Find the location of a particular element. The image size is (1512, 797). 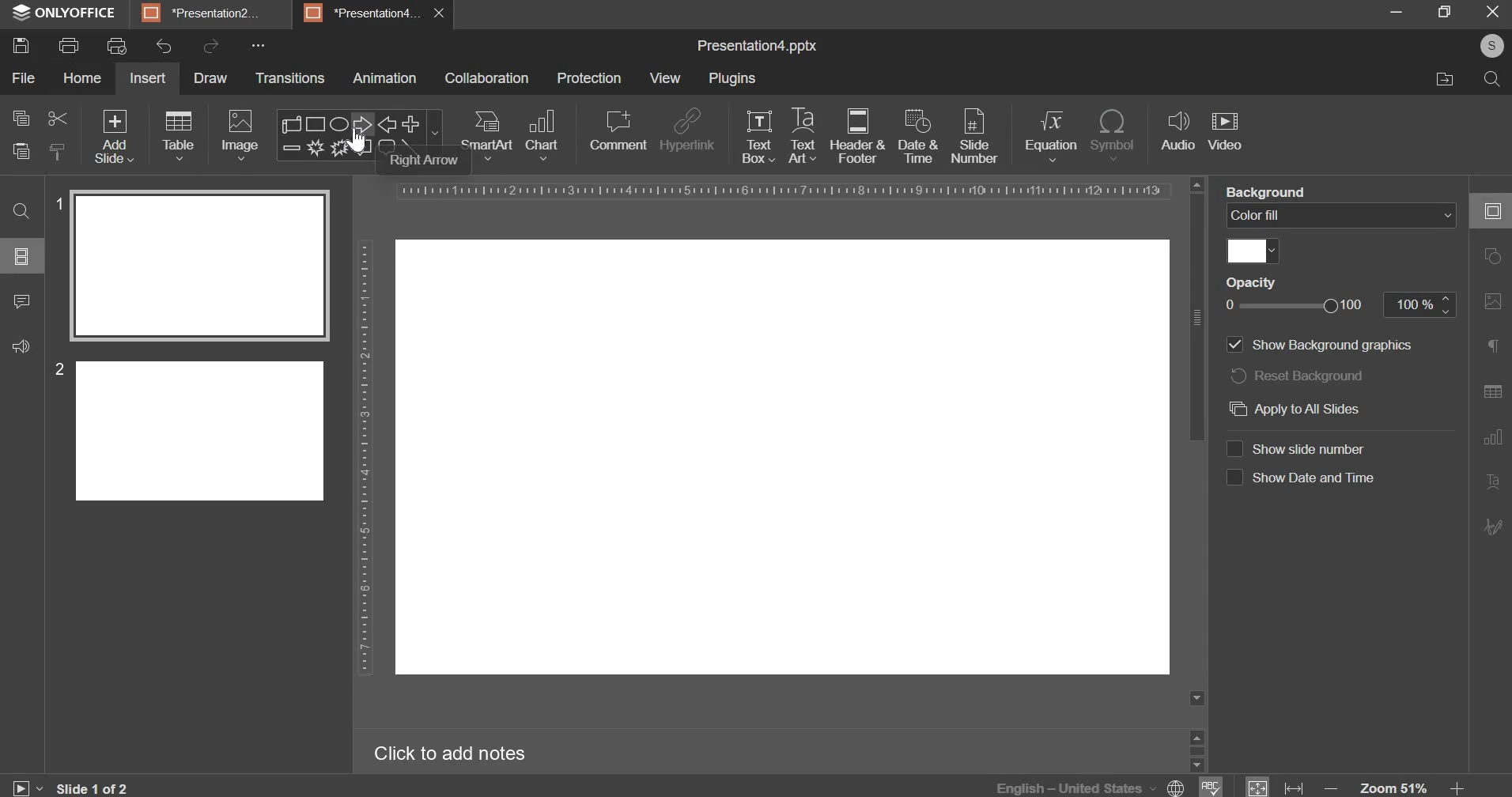

slide 2 is located at coordinates (187, 430).